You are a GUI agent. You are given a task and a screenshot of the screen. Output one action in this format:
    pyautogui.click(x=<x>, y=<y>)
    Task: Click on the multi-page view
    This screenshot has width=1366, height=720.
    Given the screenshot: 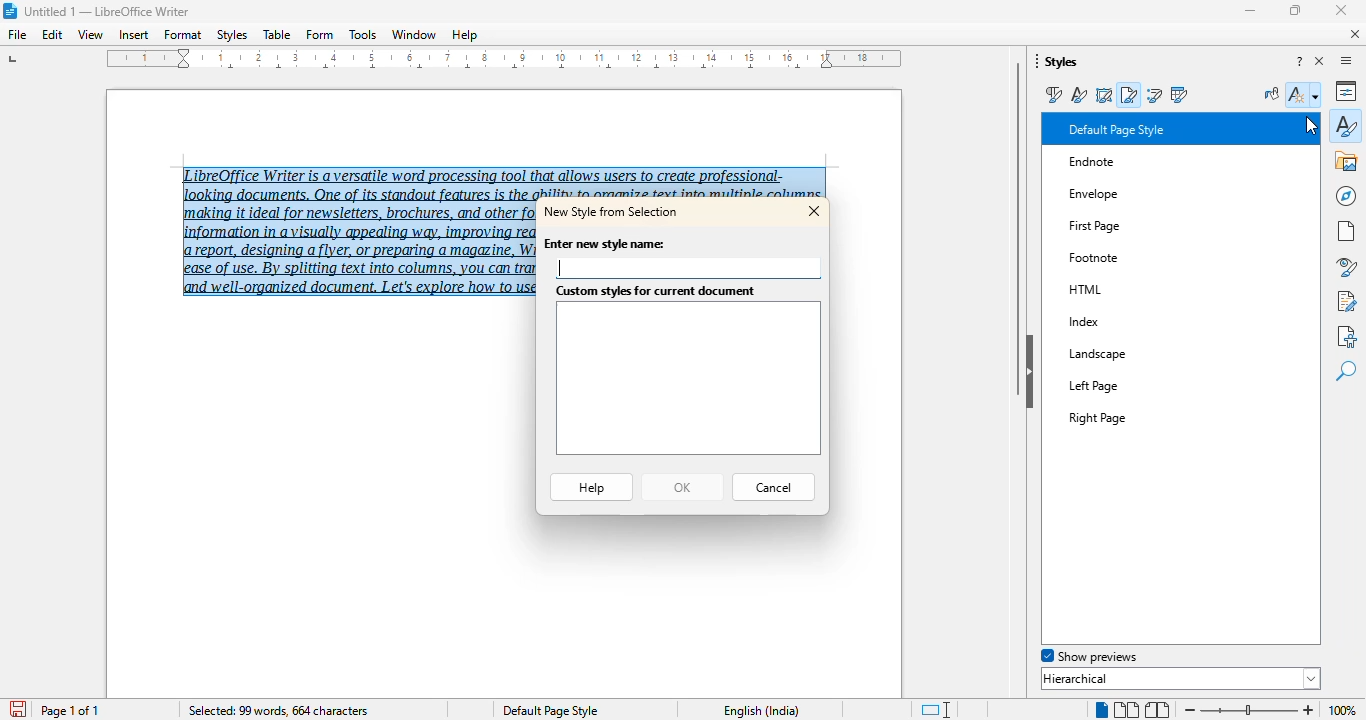 What is the action you would take?
    pyautogui.click(x=1125, y=709)
    